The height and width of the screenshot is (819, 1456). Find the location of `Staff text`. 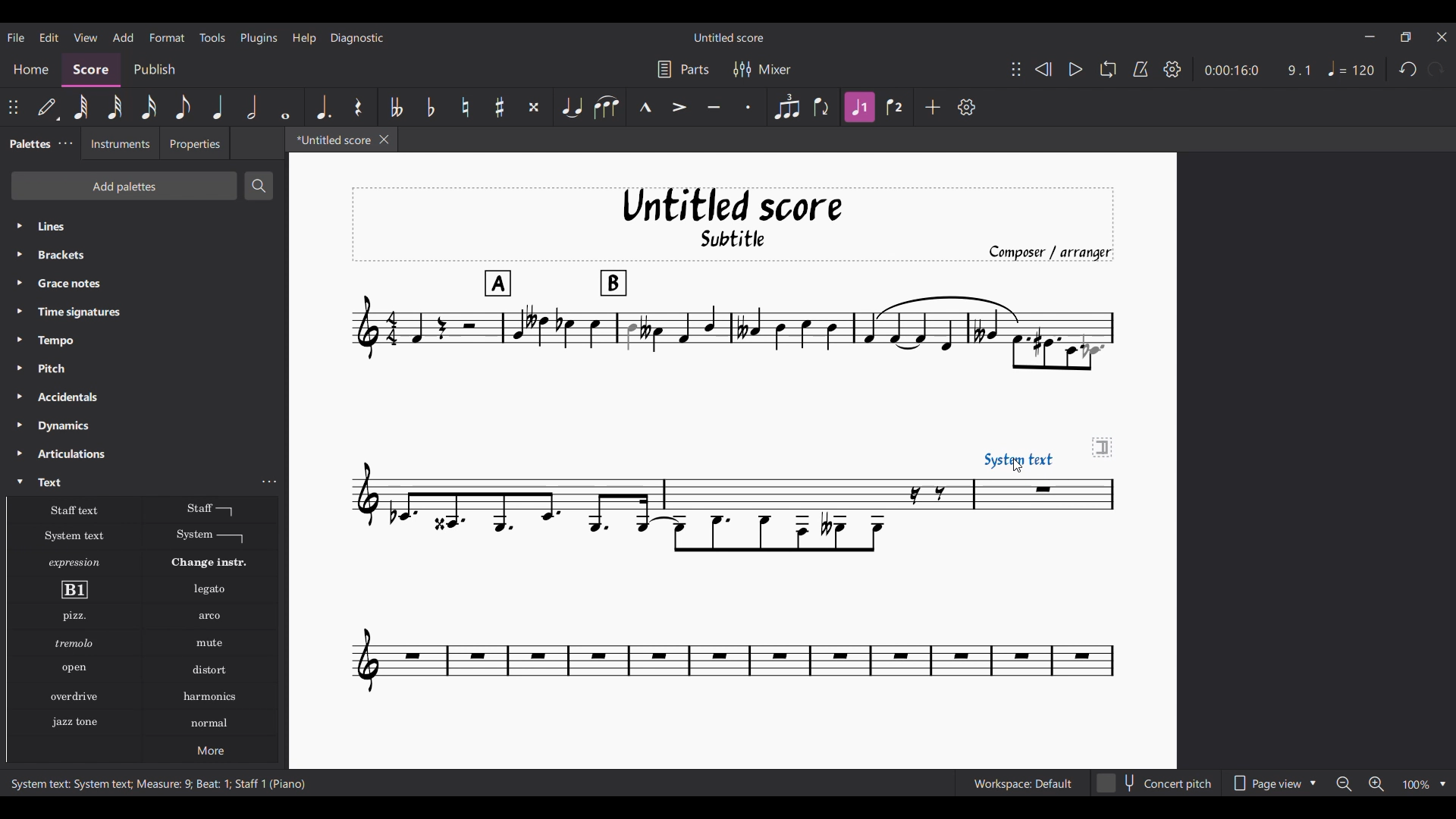

Staff text is located at coordinates (75, 509).